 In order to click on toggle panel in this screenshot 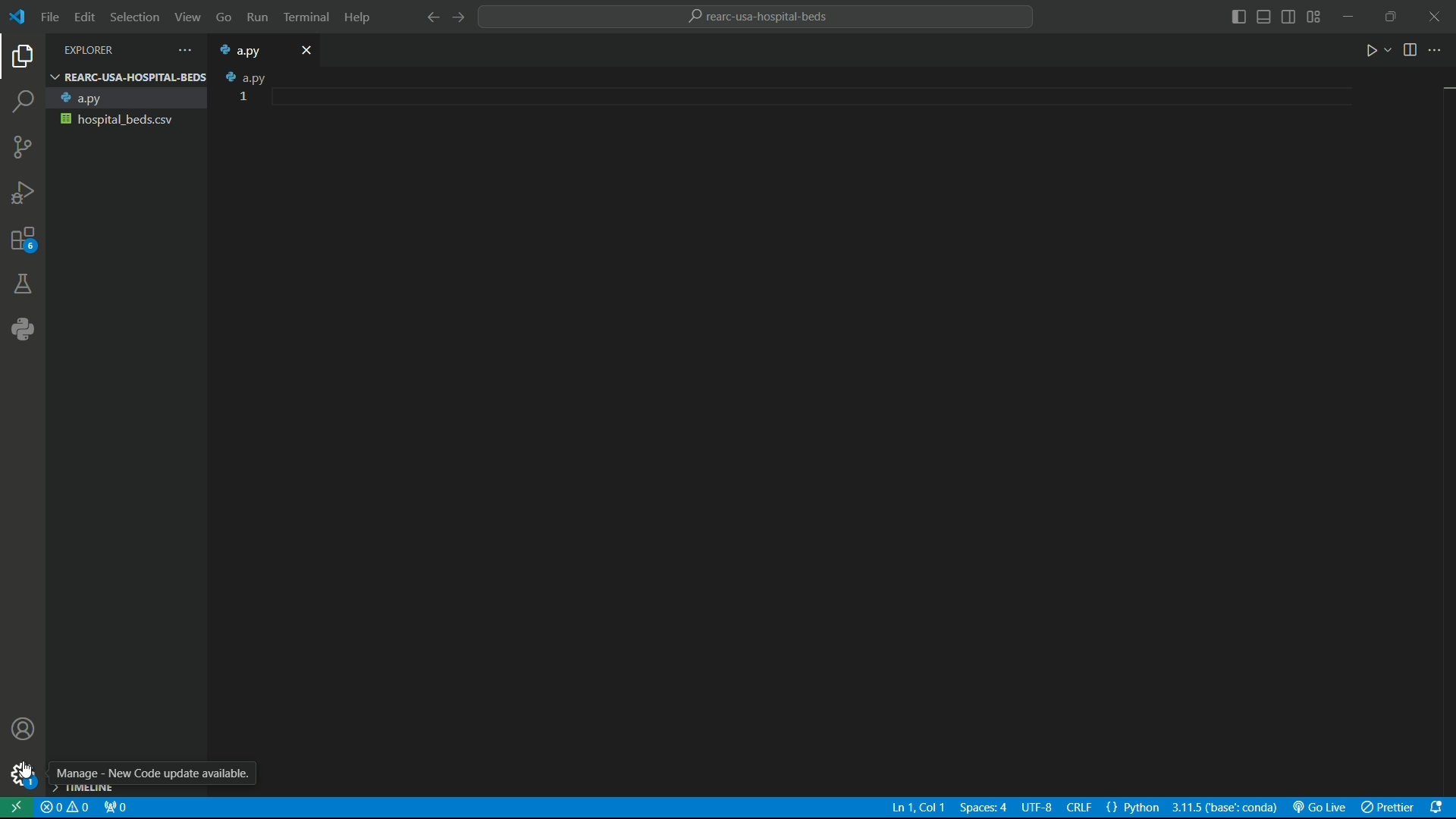, I will do `click(1263, 17)`.